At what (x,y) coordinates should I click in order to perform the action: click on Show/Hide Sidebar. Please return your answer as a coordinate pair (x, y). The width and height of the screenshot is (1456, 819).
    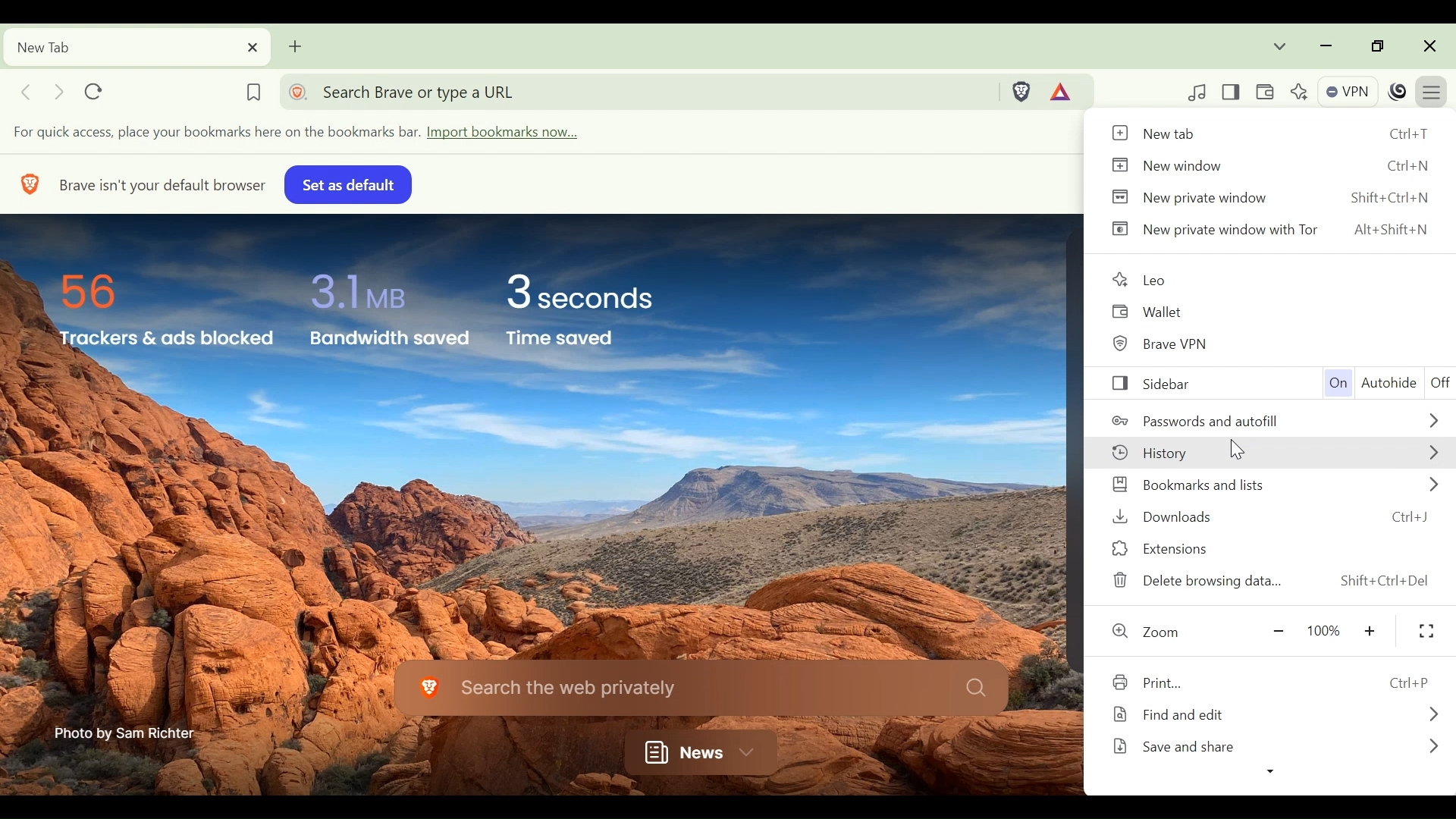
    Looking at the image, I should click on (1235, 91).